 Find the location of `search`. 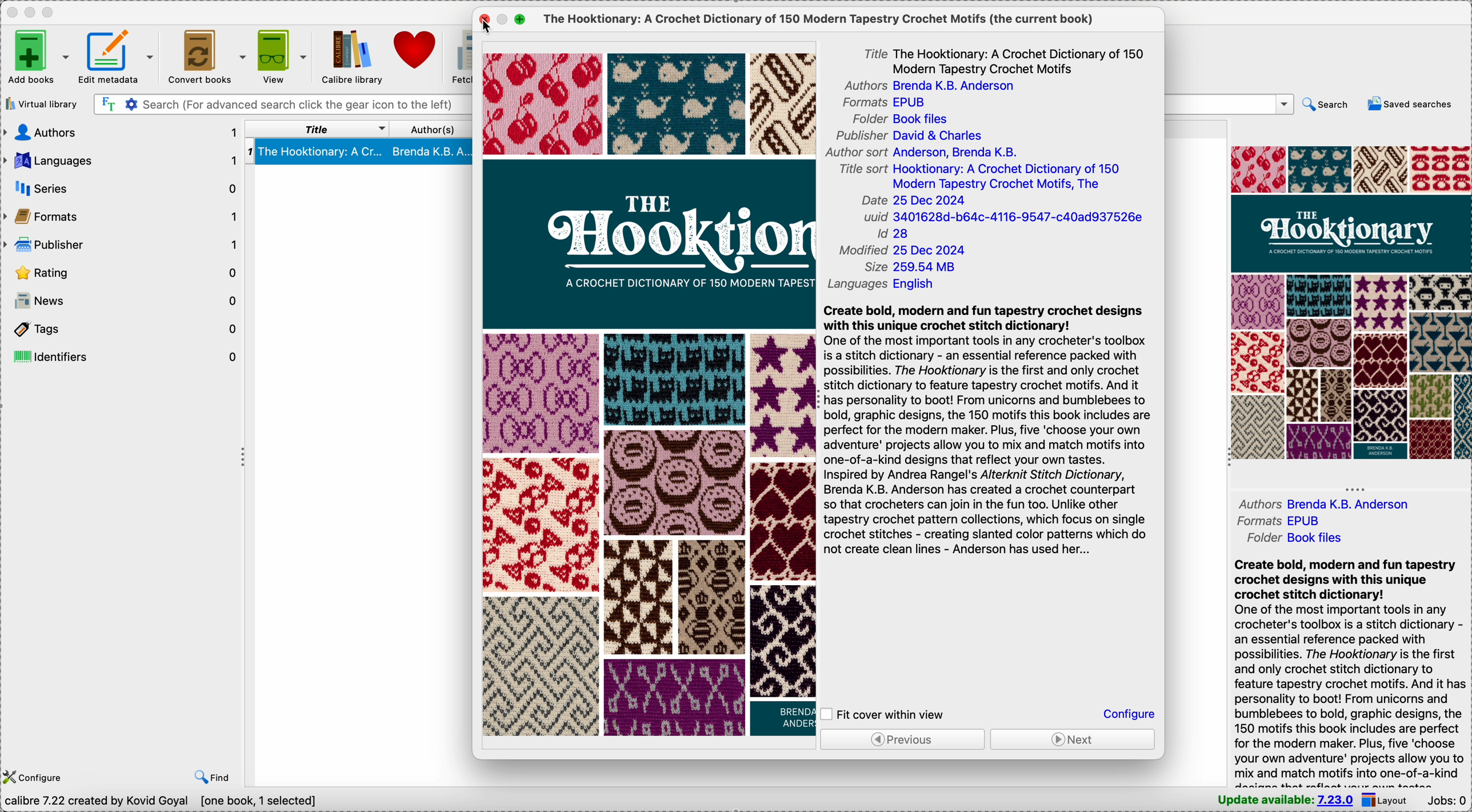

search is located at coordinates (1327, 103).